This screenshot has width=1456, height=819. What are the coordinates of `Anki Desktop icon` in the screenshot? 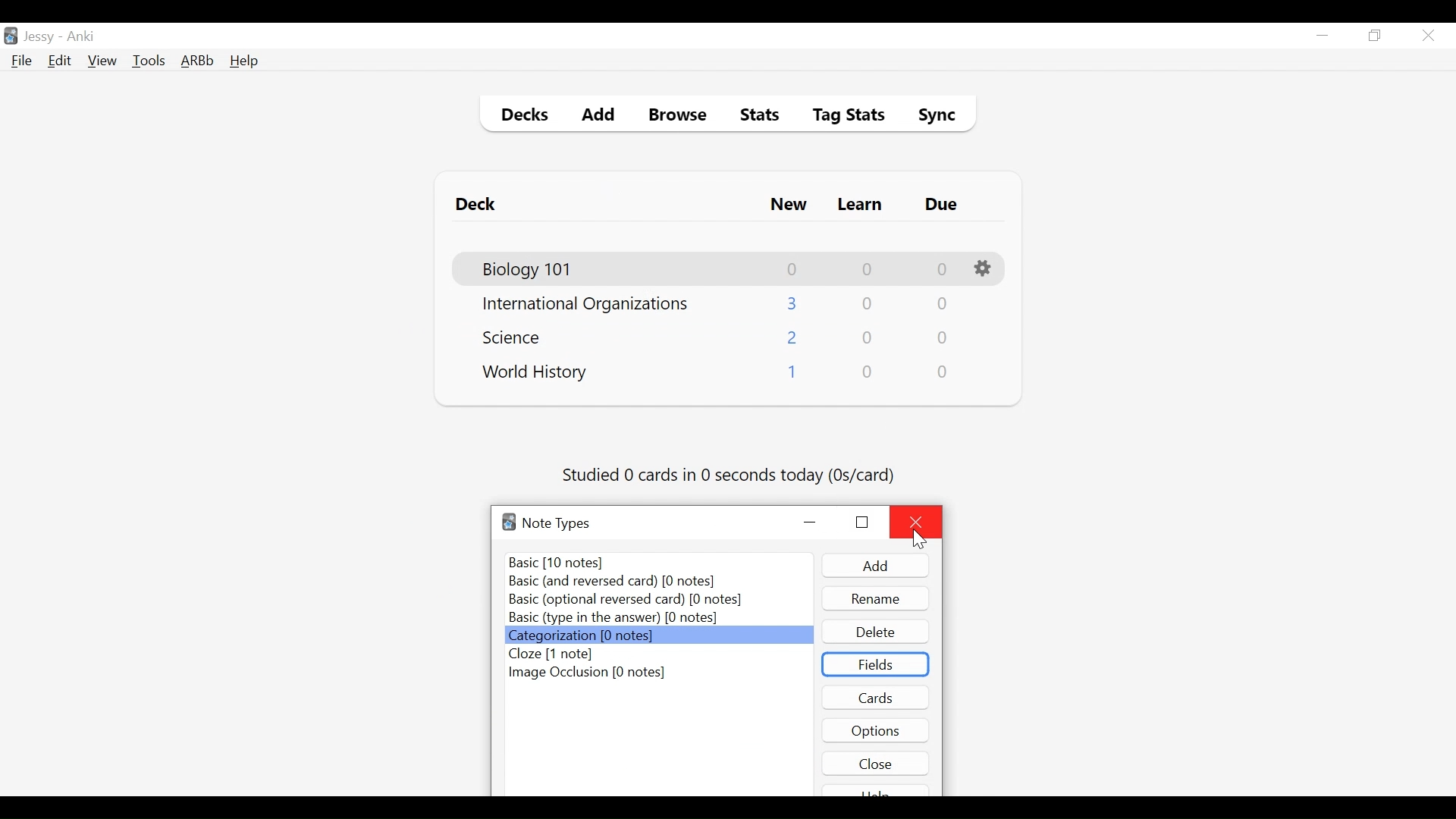 It's located at (11, 36).